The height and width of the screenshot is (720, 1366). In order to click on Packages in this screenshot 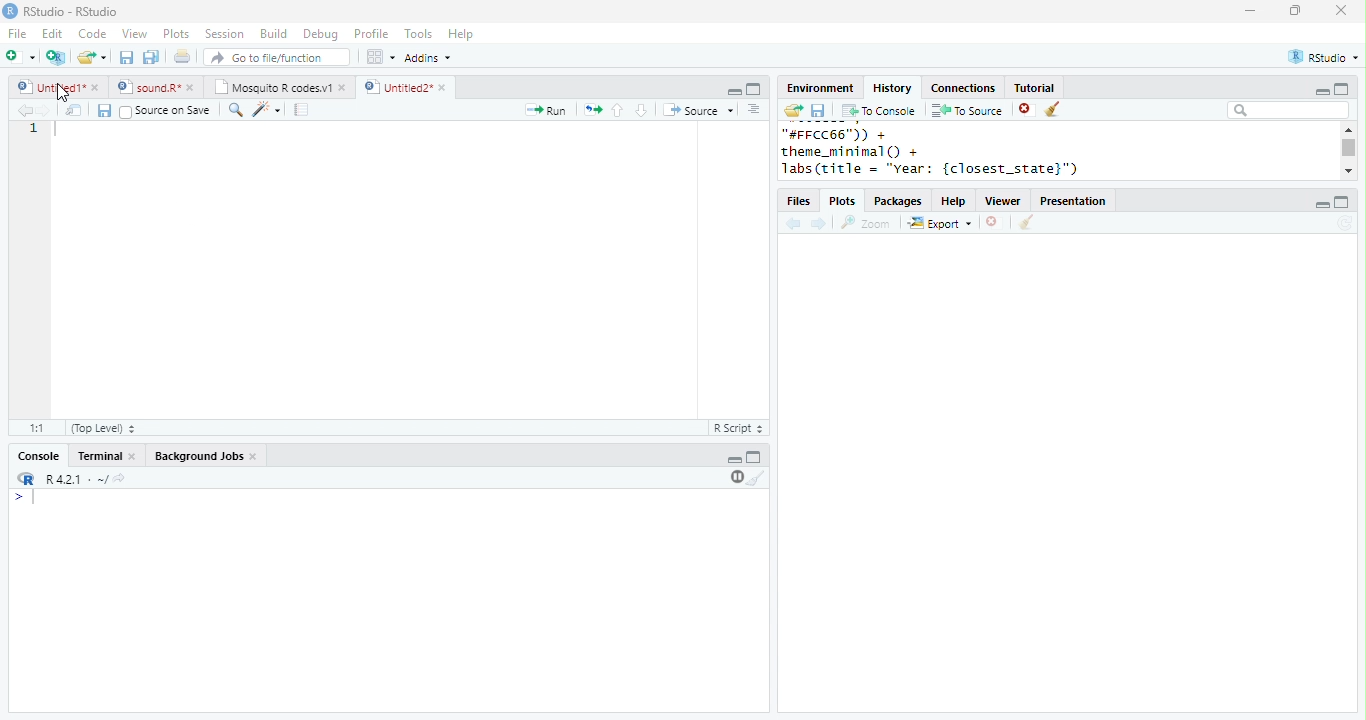, I will do `click(899, 201)`.